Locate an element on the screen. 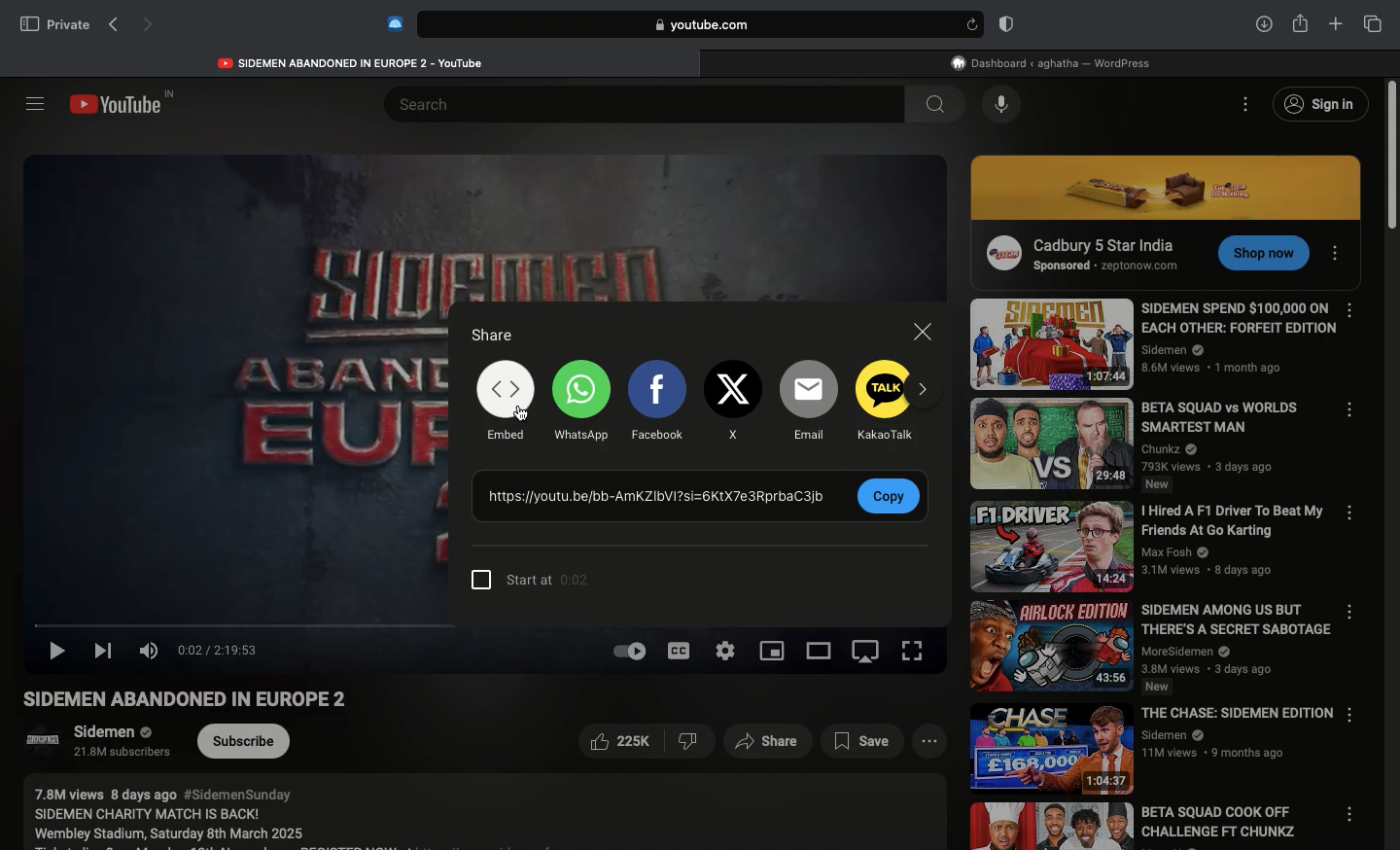  Ad is located at coordinates (1169, 188).